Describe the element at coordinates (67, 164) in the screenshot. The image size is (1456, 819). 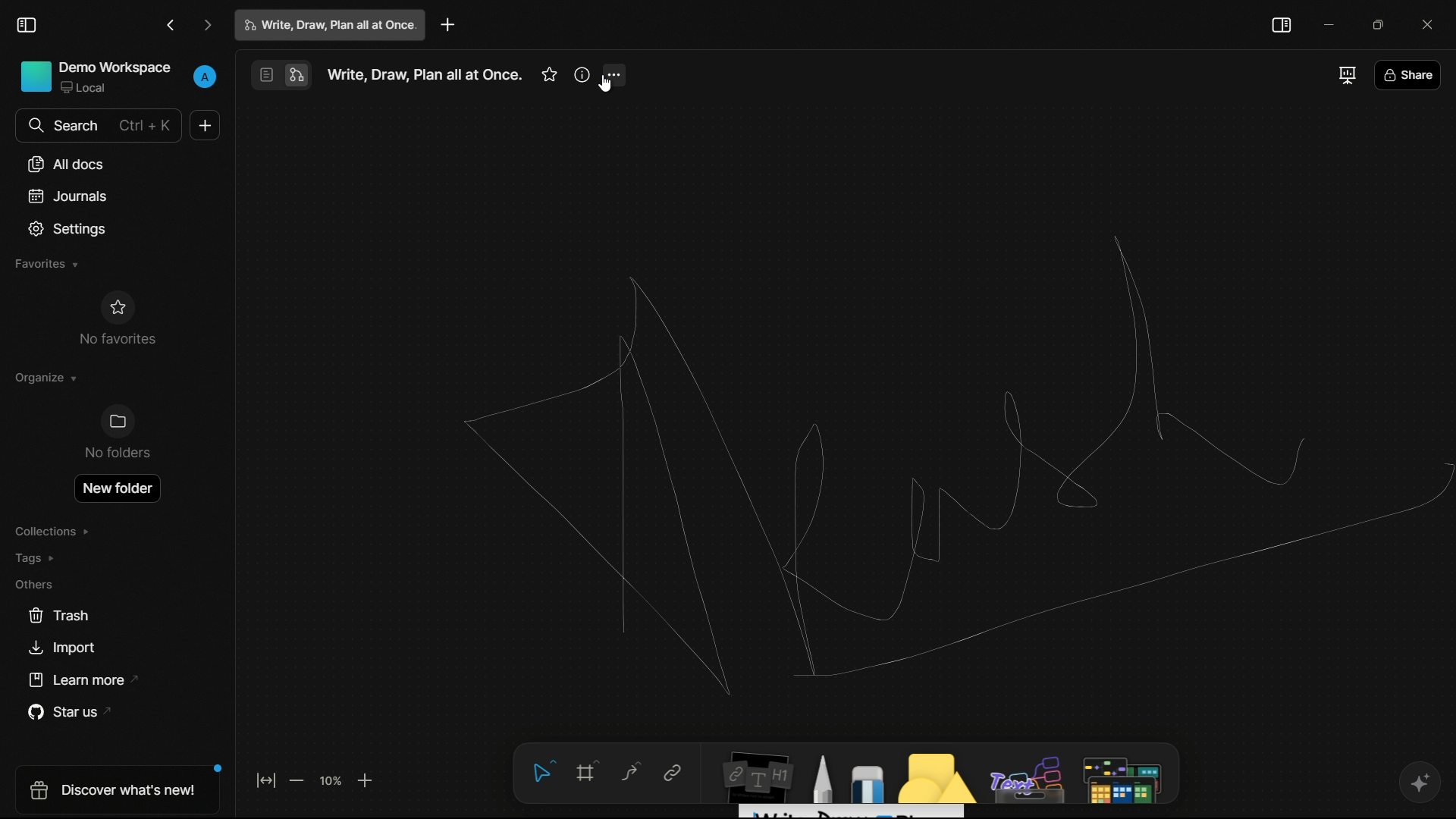
I see `all docs` at that location.